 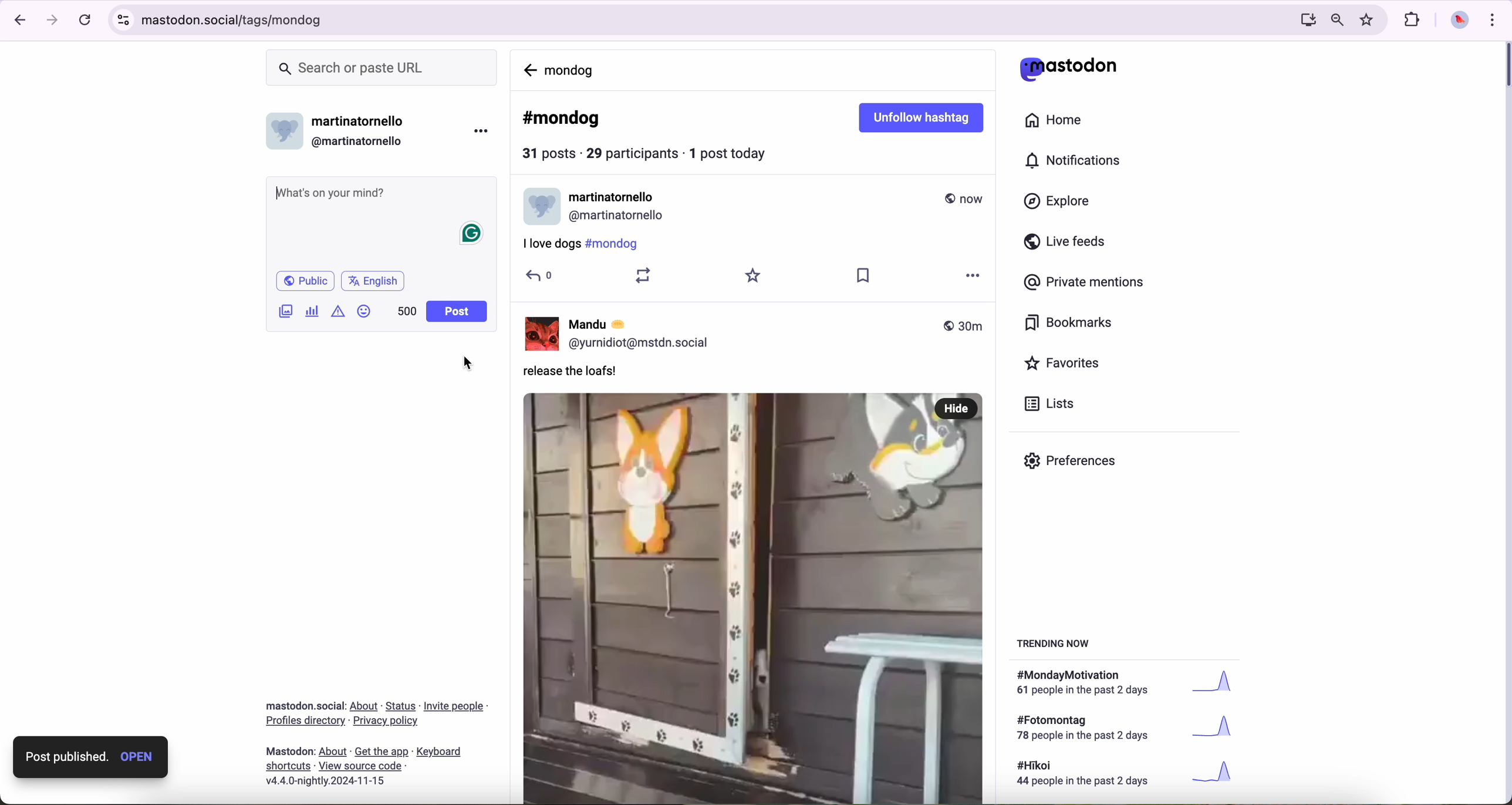 What do you see at coordinates (924, 118) in the screenshot?
I see `unfollow hashtag` at bounding box center [924, 118].